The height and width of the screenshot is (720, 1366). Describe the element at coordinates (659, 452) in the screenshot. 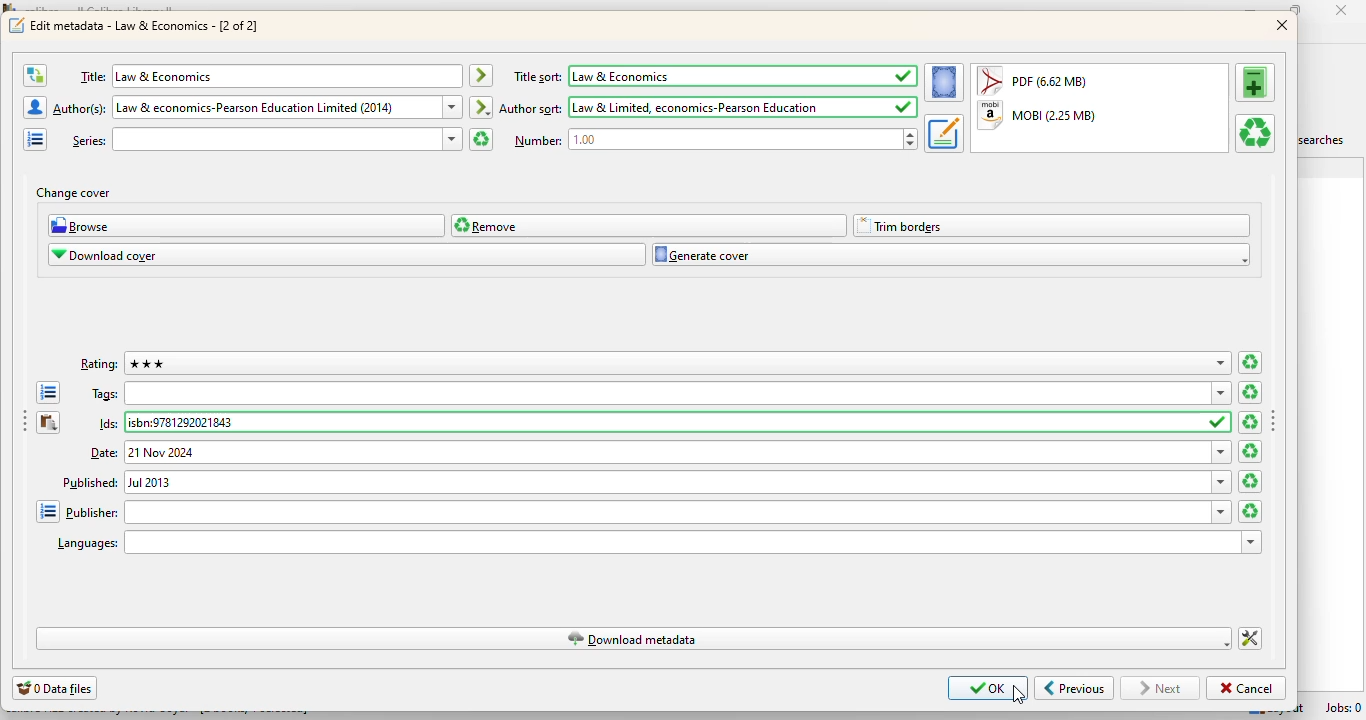

I see `date: ` at that location.